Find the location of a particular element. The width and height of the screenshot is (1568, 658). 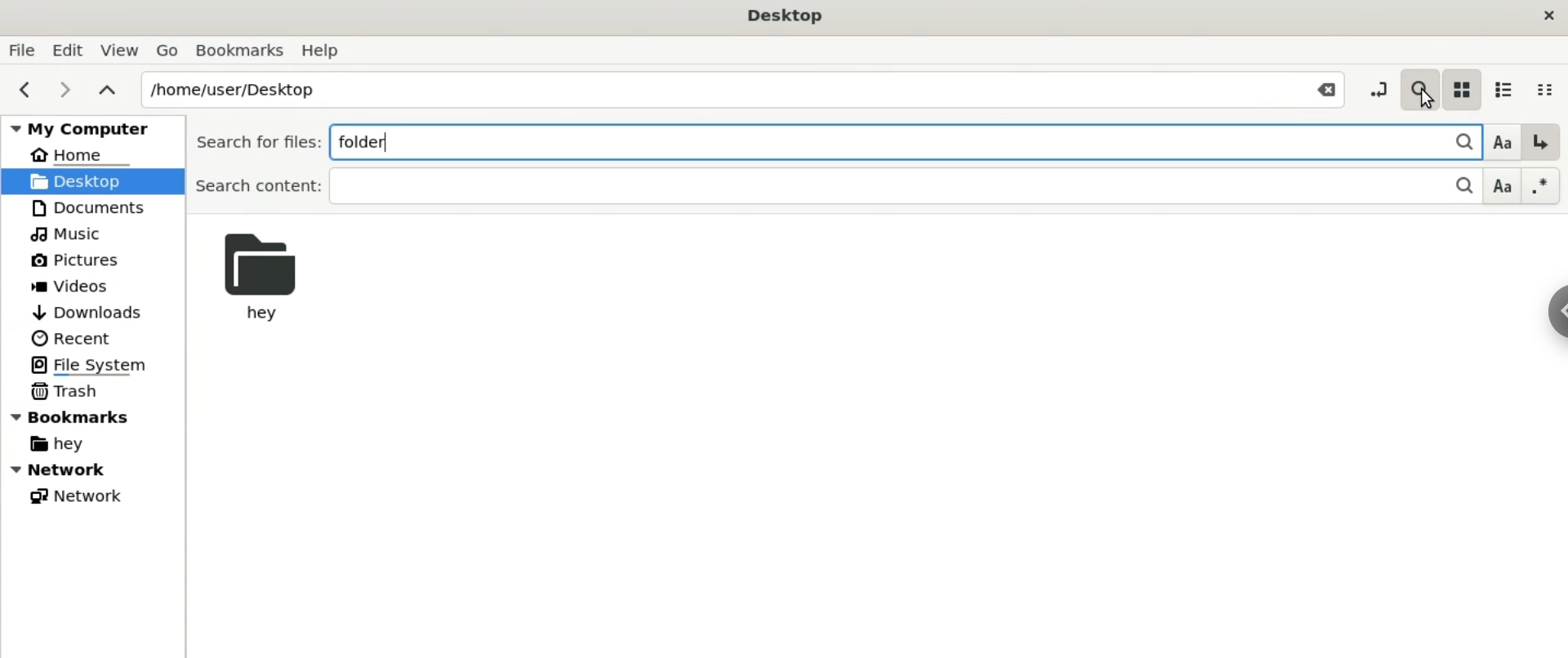

Go is located at coordinates (165, 48).